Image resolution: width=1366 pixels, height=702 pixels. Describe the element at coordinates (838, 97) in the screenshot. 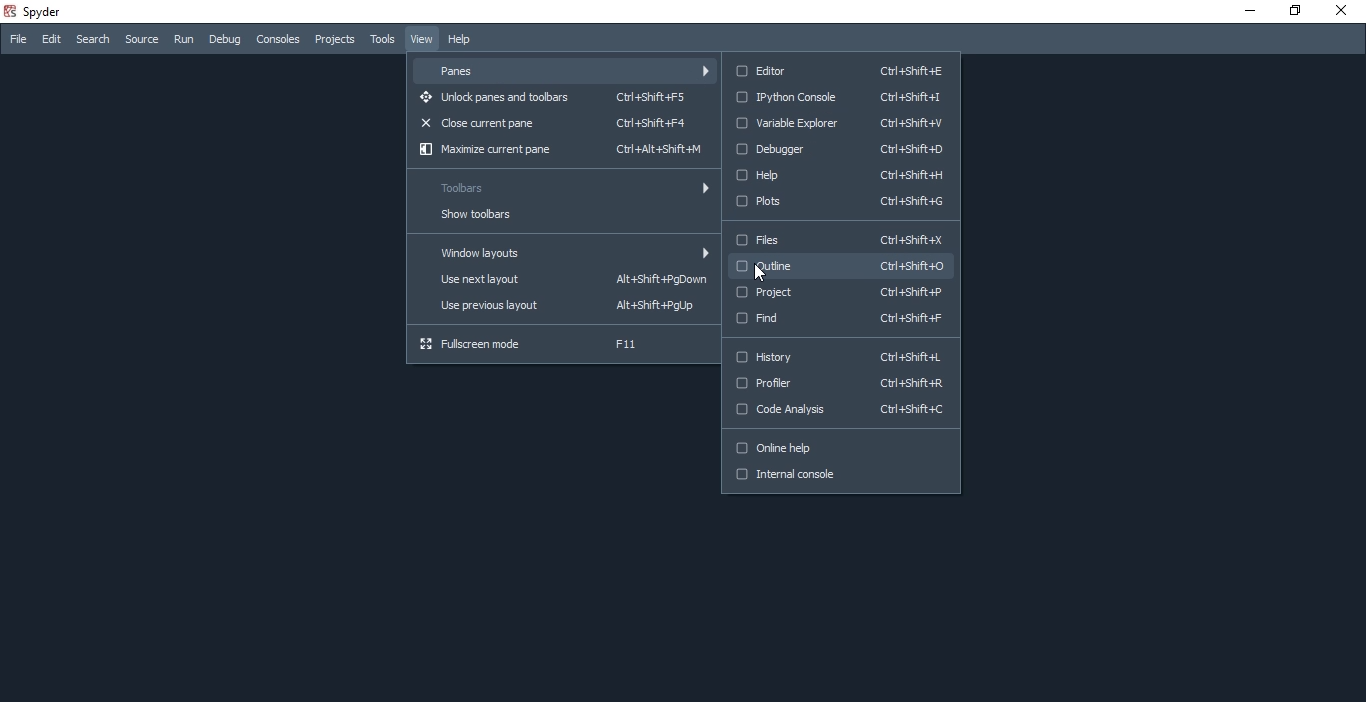

I see `IPython Console` at that location.